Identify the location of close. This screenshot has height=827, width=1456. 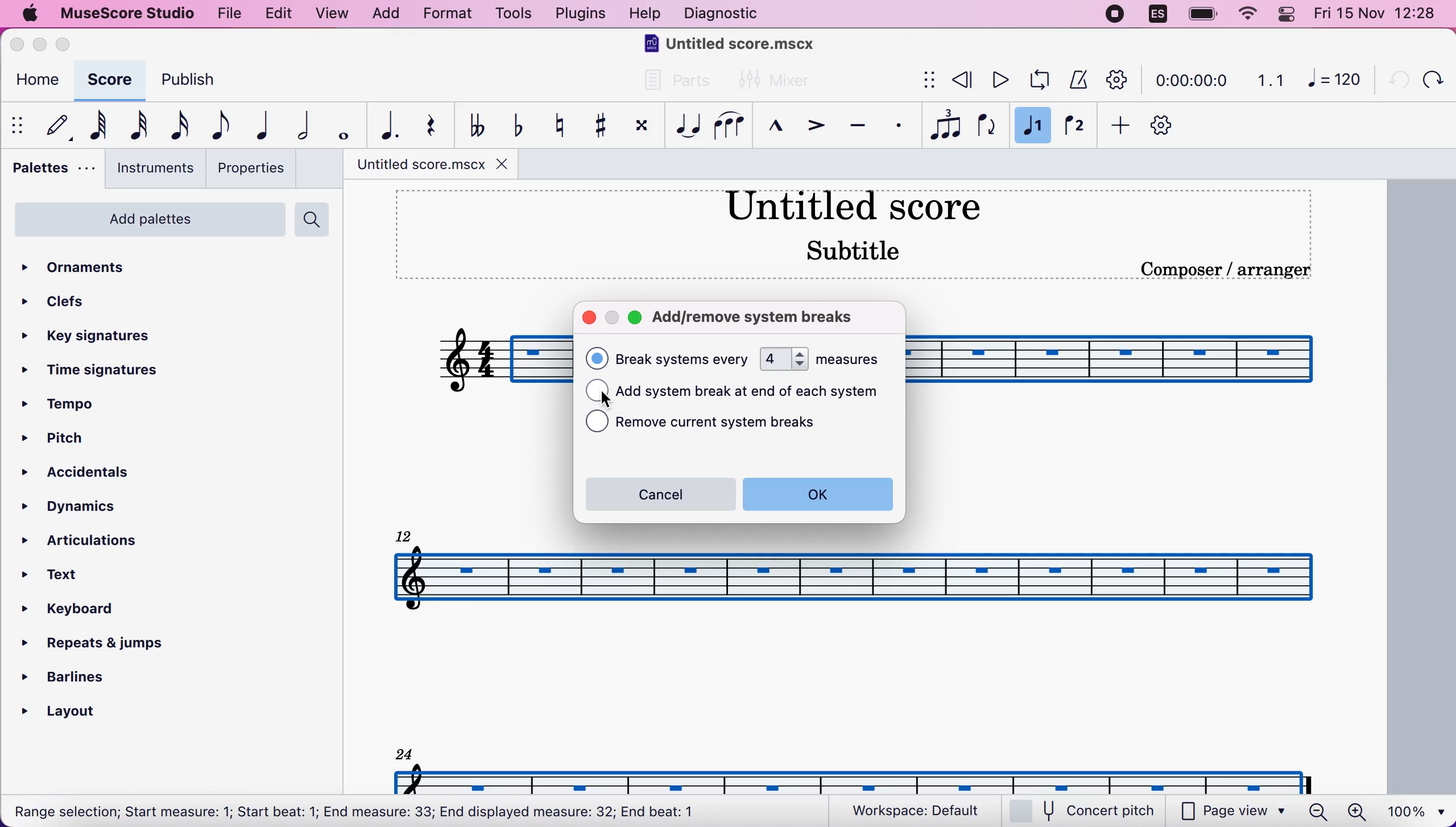
(506, 163).